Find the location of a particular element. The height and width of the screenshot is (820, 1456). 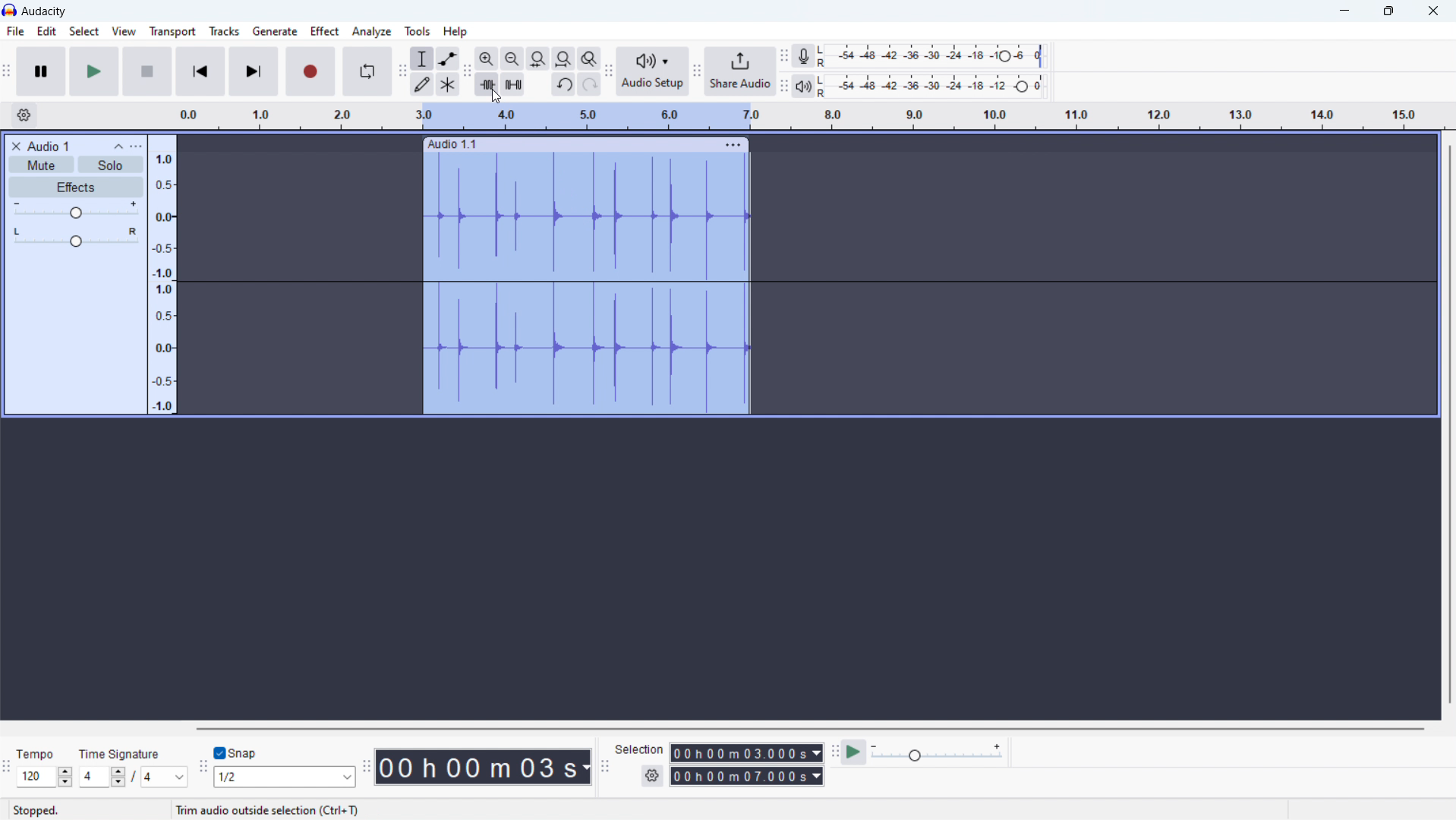

Time Signature is located at coordinates (125, 750).